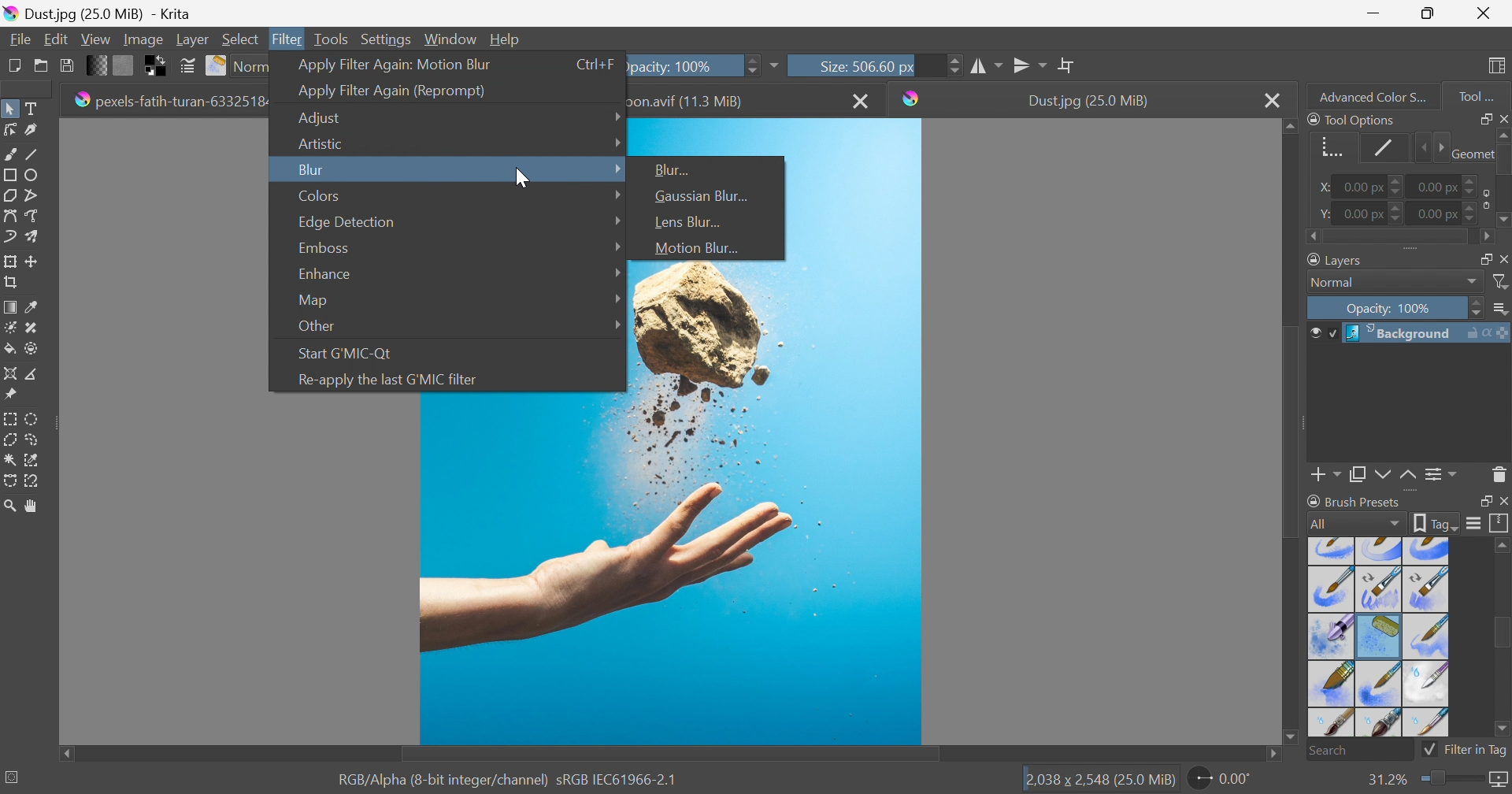  What do you see at coordinates (322, 247) in the screenshot?
I see `Emboss` at bounding box center [322, 247].